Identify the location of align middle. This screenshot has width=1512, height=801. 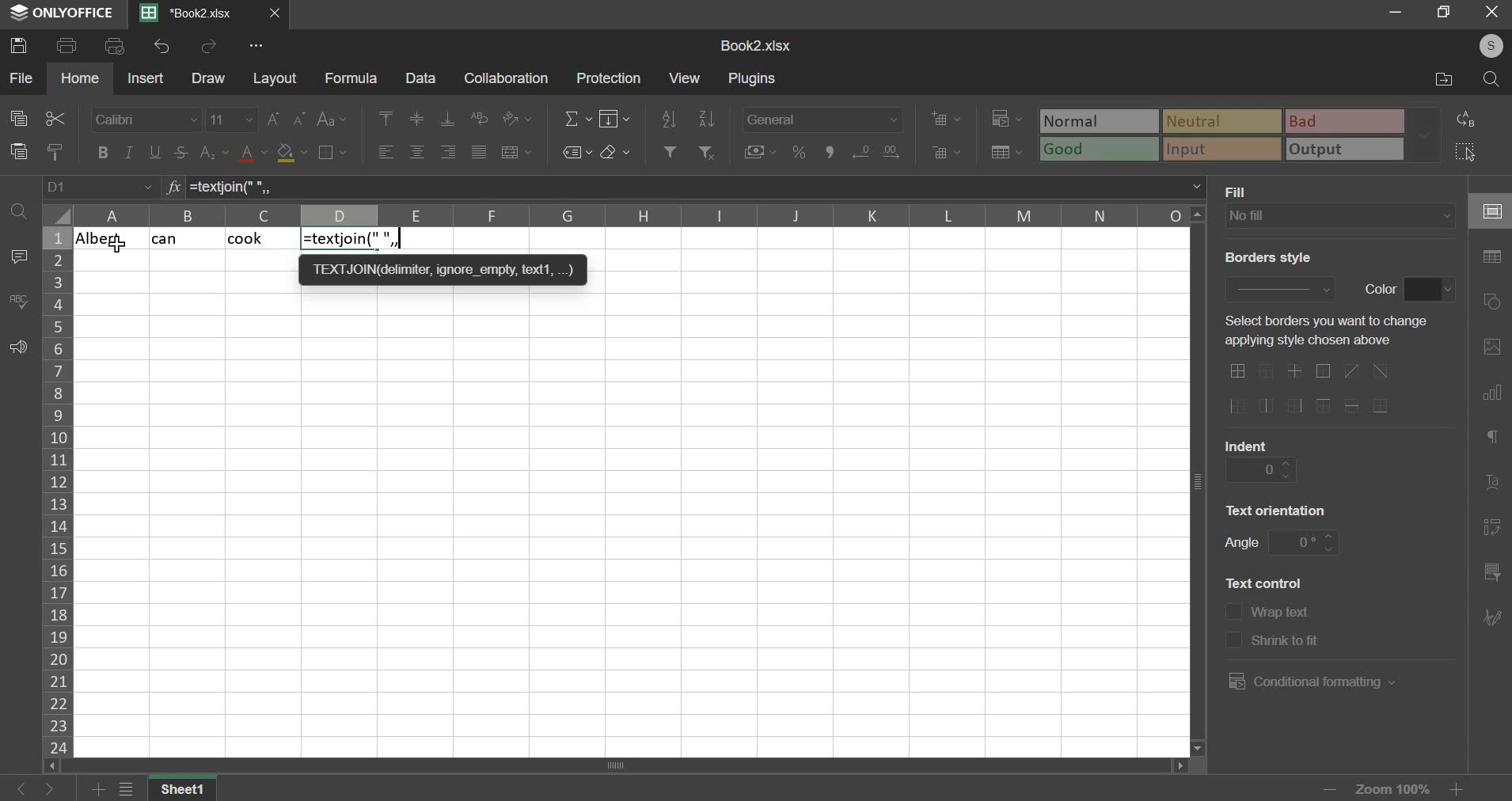
(419, 119).